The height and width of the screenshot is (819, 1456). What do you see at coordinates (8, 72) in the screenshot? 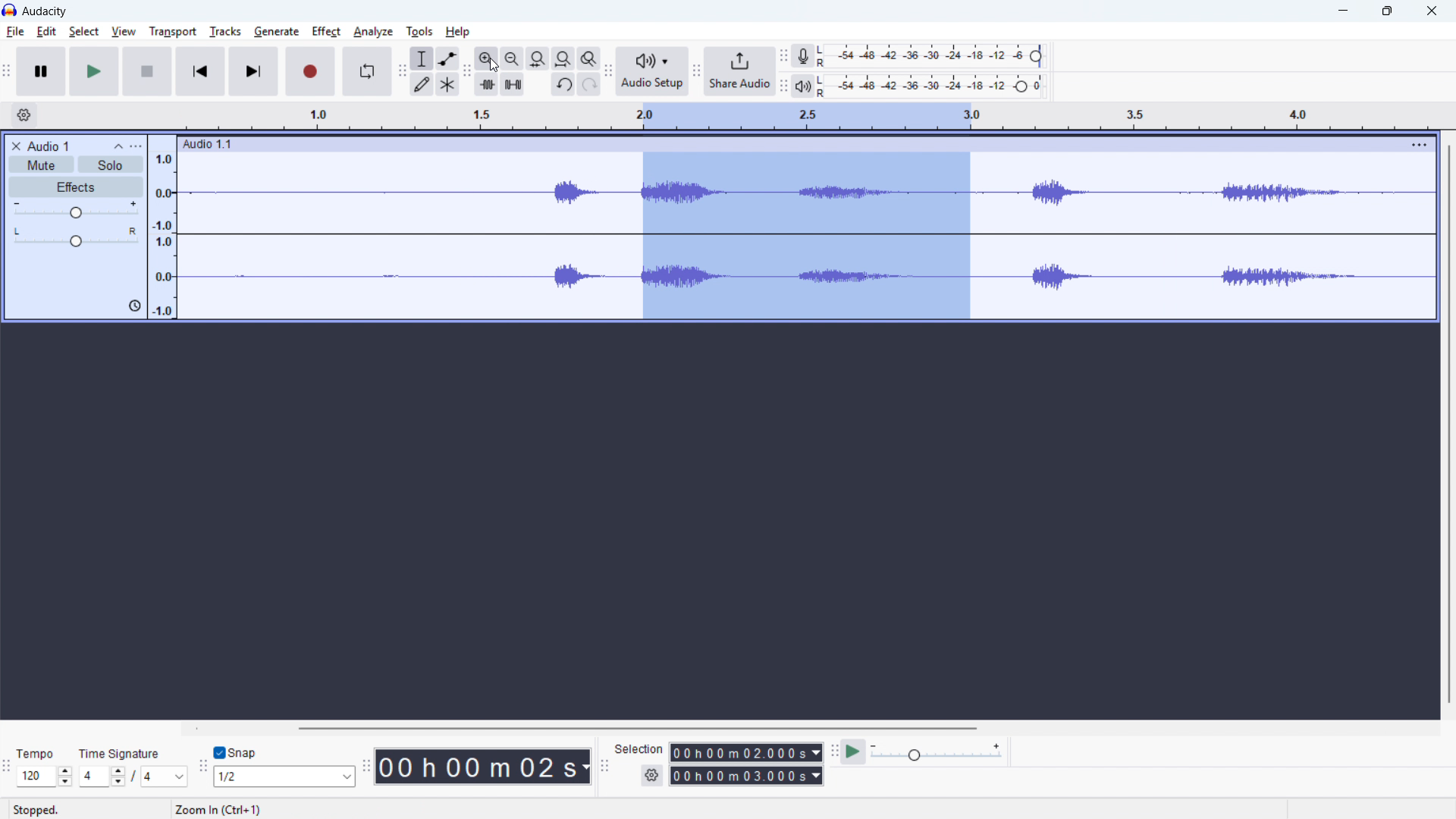
I see `Transport toolbar` at bounding box center [8, 72].